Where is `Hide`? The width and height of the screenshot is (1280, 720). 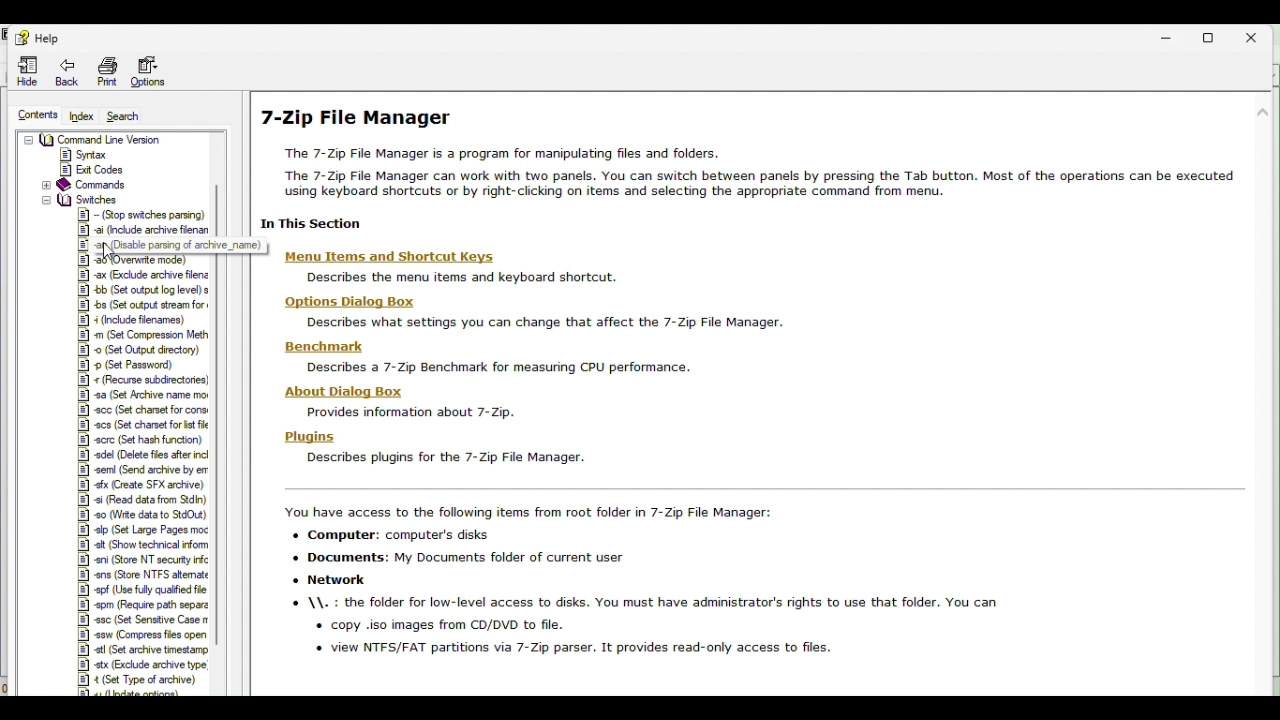 Hide is located at coordinates (20, 71).